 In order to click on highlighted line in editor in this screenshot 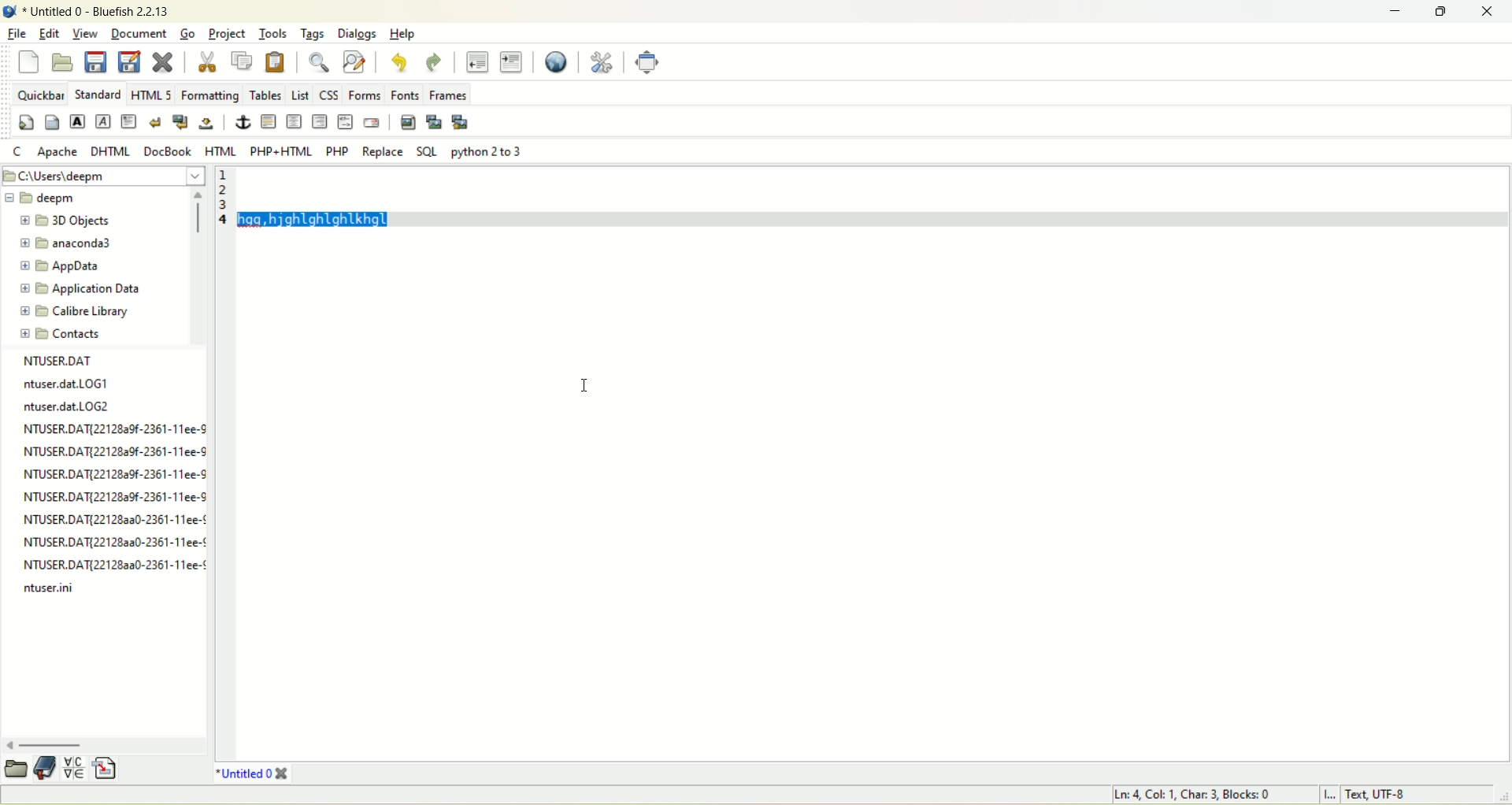, I will do `click(873, 197)`.